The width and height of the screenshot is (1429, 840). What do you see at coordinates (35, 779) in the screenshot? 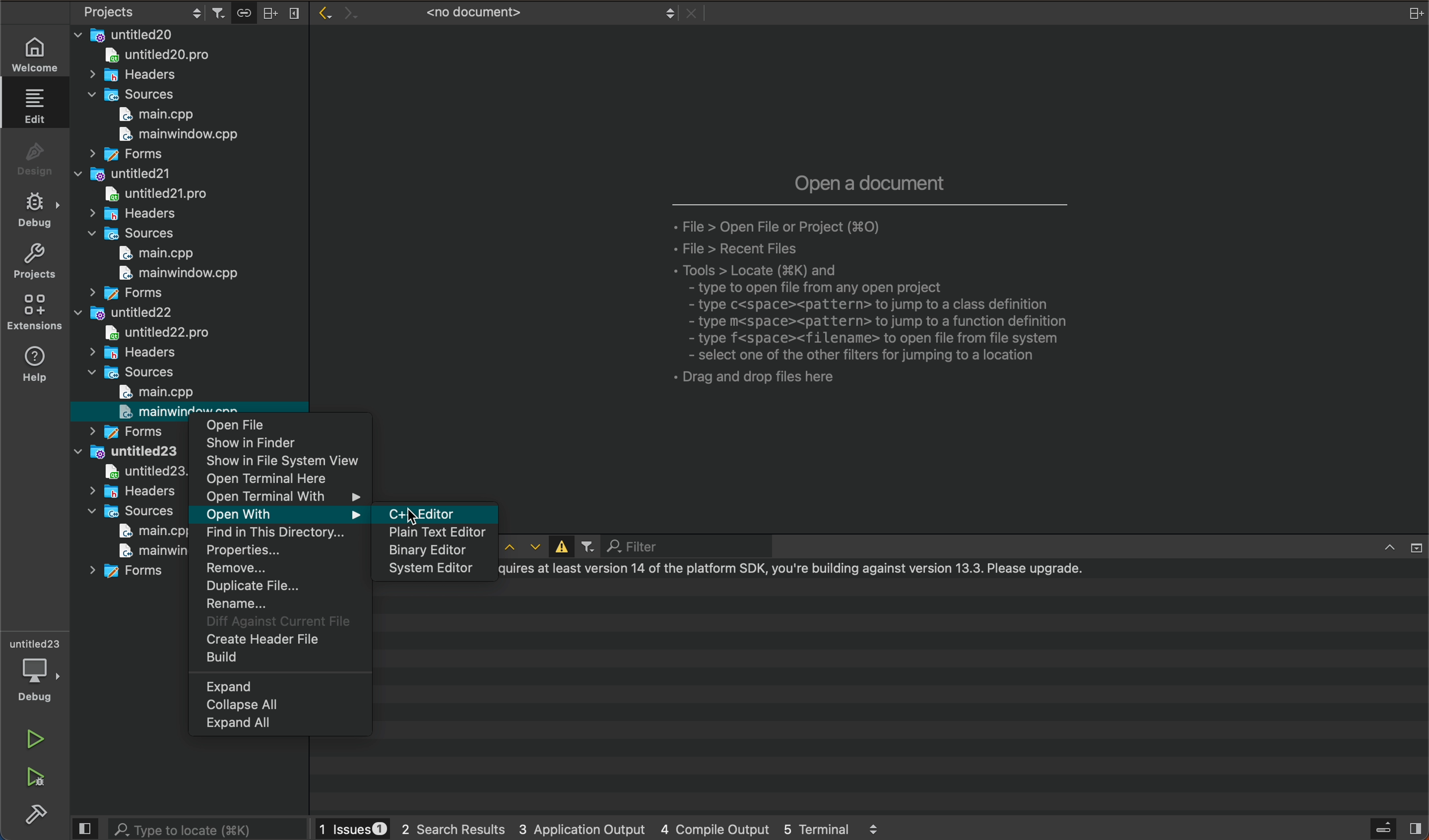
I see `run debug` at bounding box center [35, 779].